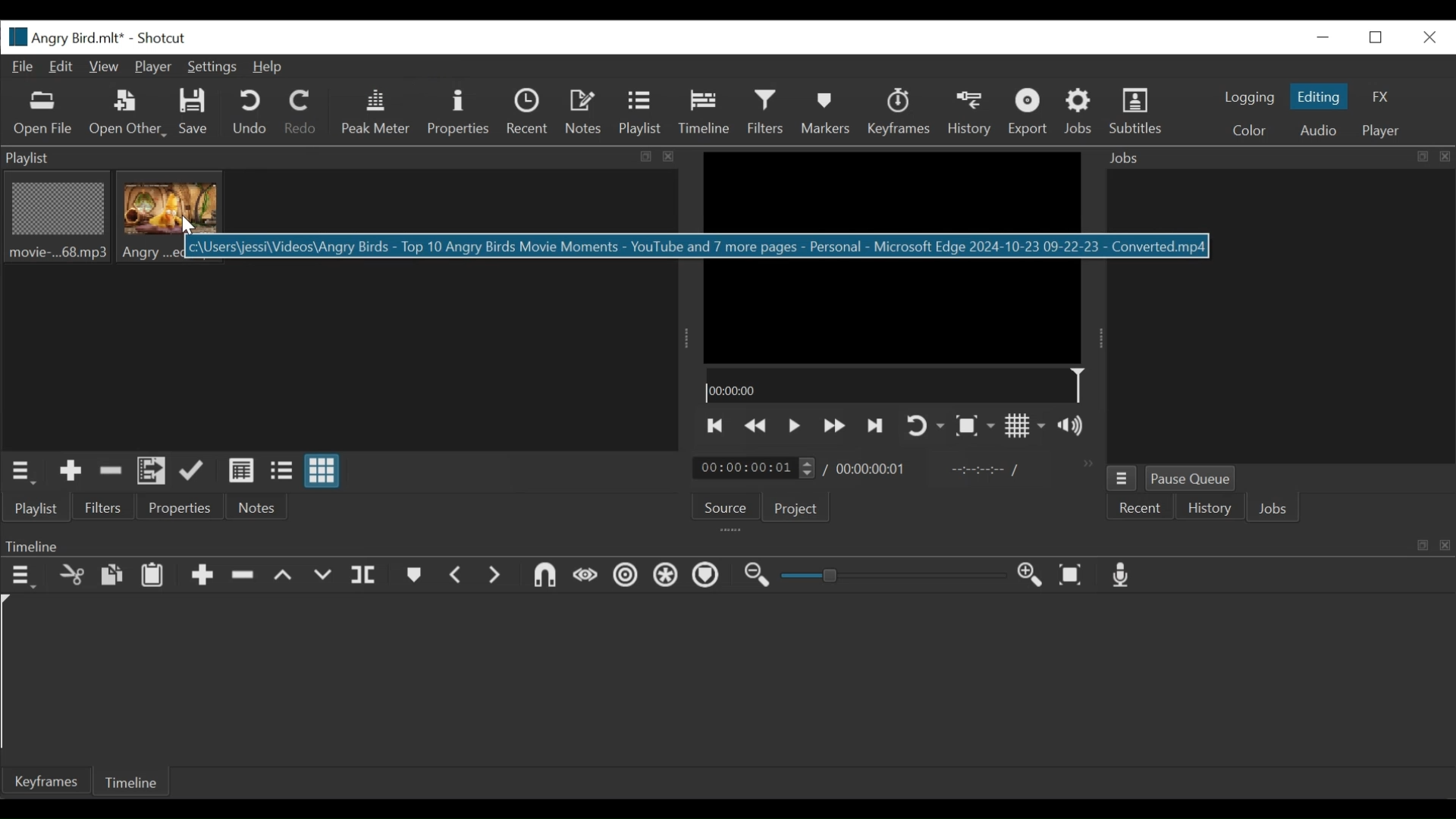 Image resolution: width=1456 pixels, height=819 pixels. Describe the element at coordinates (1123, 576) in the screenshot. I see `Record audio` at that location.